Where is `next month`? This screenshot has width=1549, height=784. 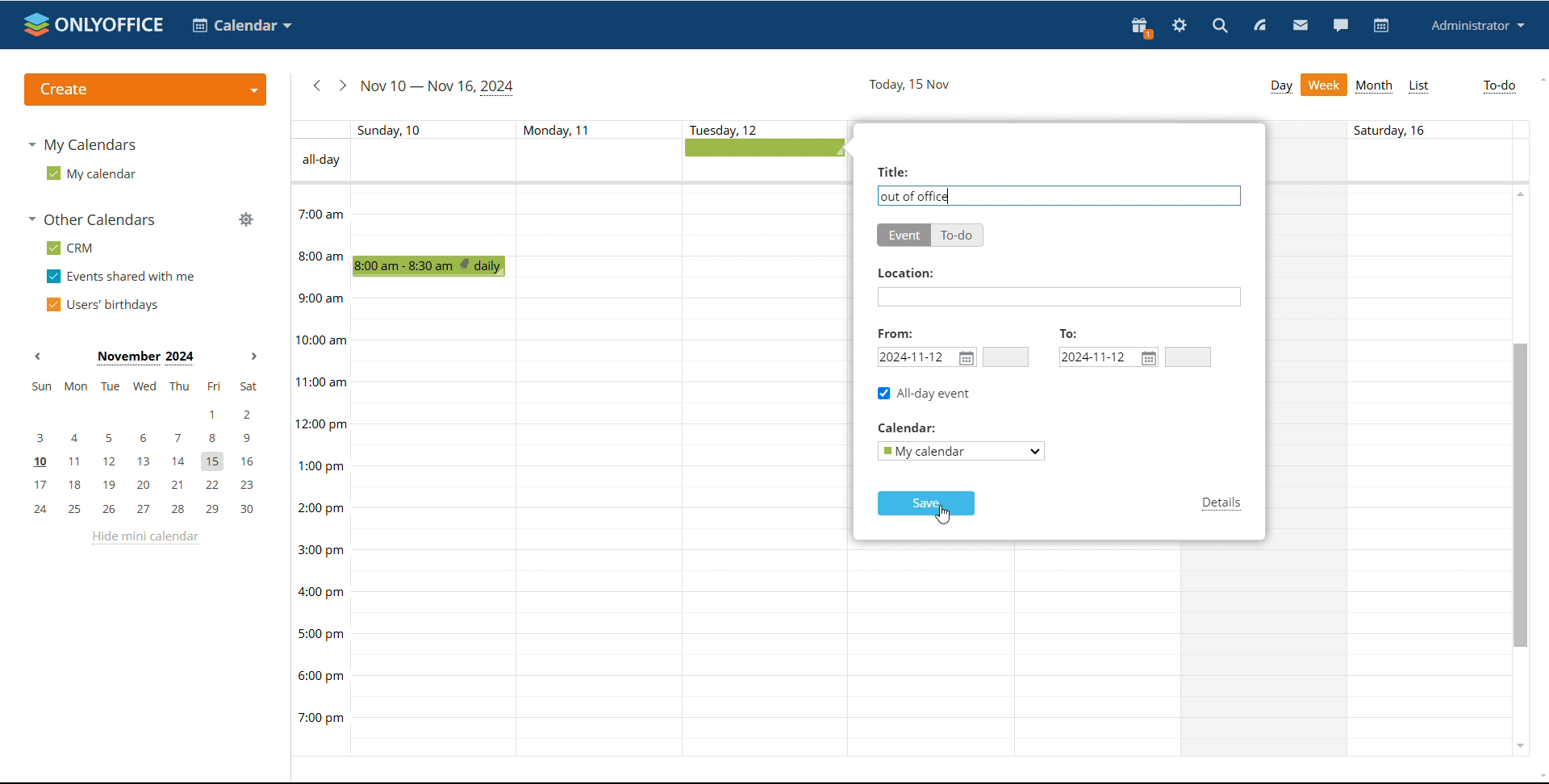
next month is located at coordinates (254, 357).